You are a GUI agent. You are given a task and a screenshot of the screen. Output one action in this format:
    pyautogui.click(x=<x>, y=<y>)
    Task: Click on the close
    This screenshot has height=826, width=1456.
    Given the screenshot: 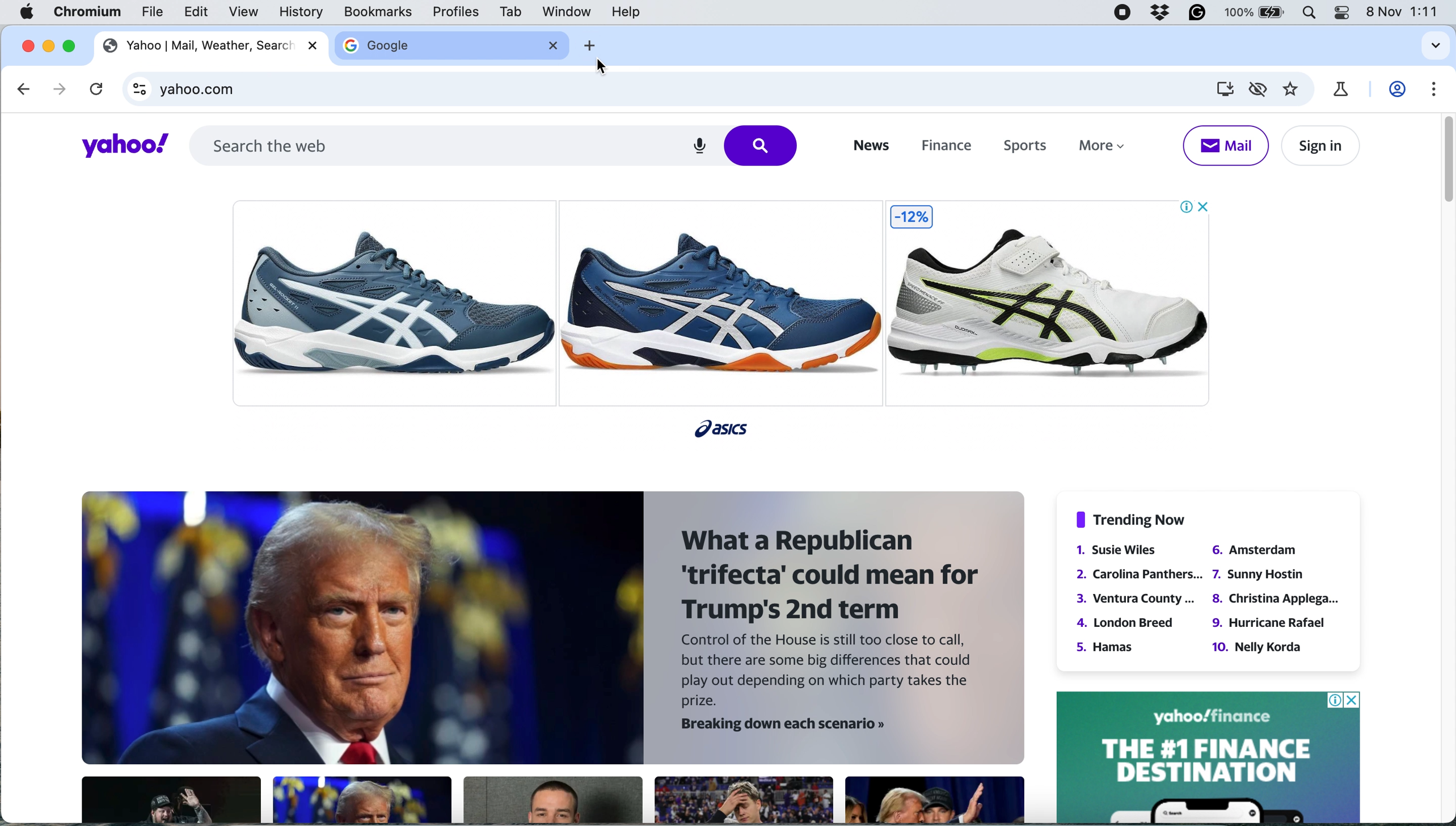 What is the action you would take?
    pyautogui.click(x=28, y=44)
    